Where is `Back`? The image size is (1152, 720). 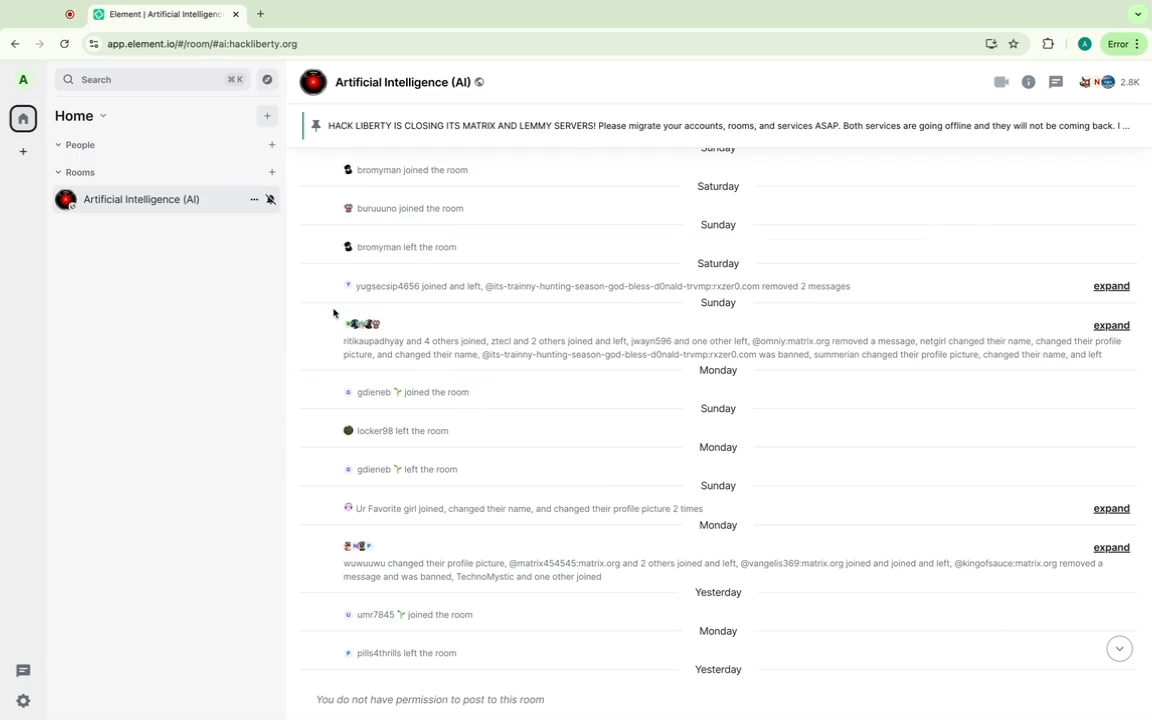
Back is located at coordinates (18, 41).